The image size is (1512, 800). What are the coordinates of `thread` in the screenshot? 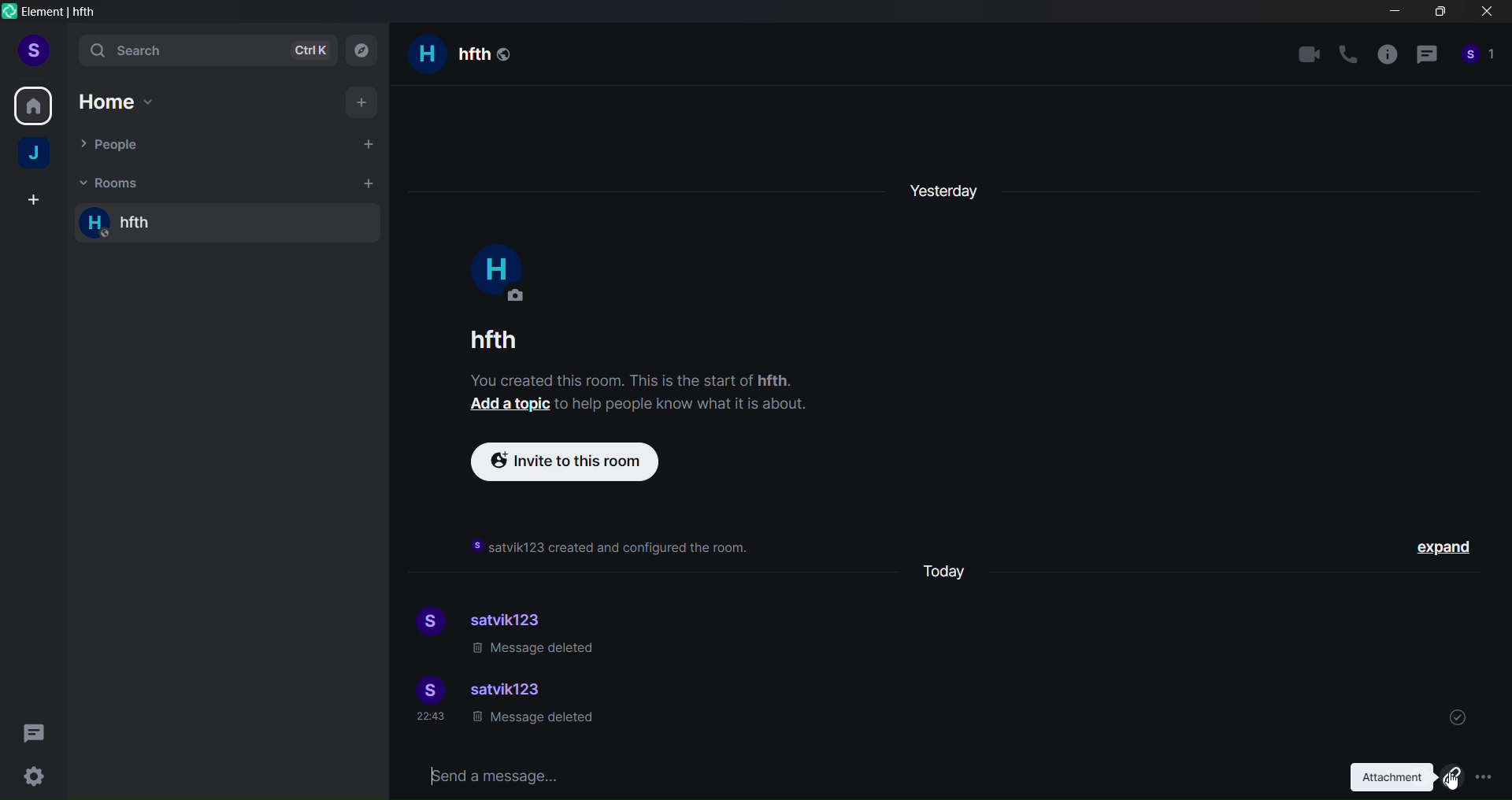 It's located at (1426, 57).